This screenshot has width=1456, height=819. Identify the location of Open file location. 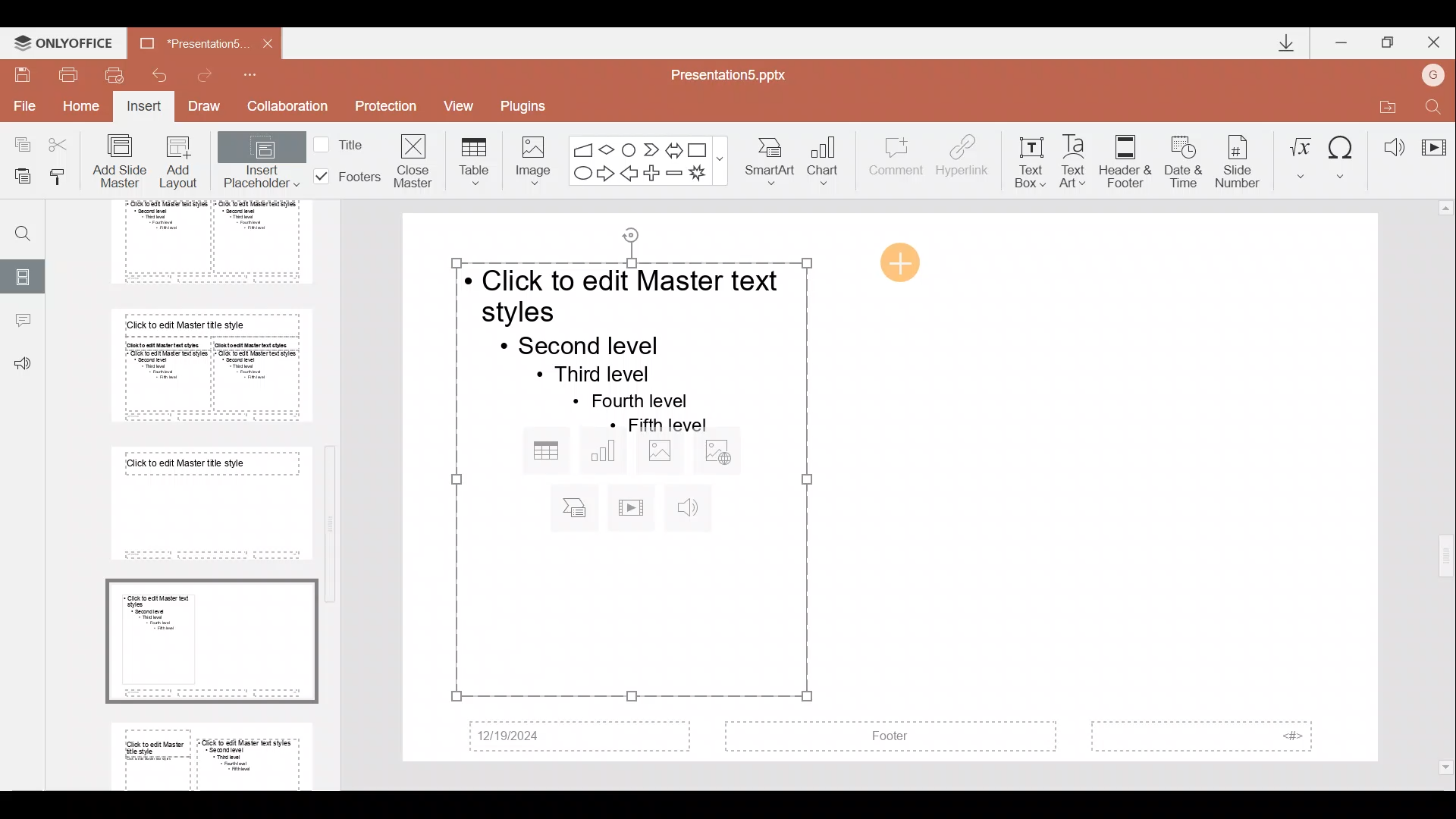
(1384, 104).